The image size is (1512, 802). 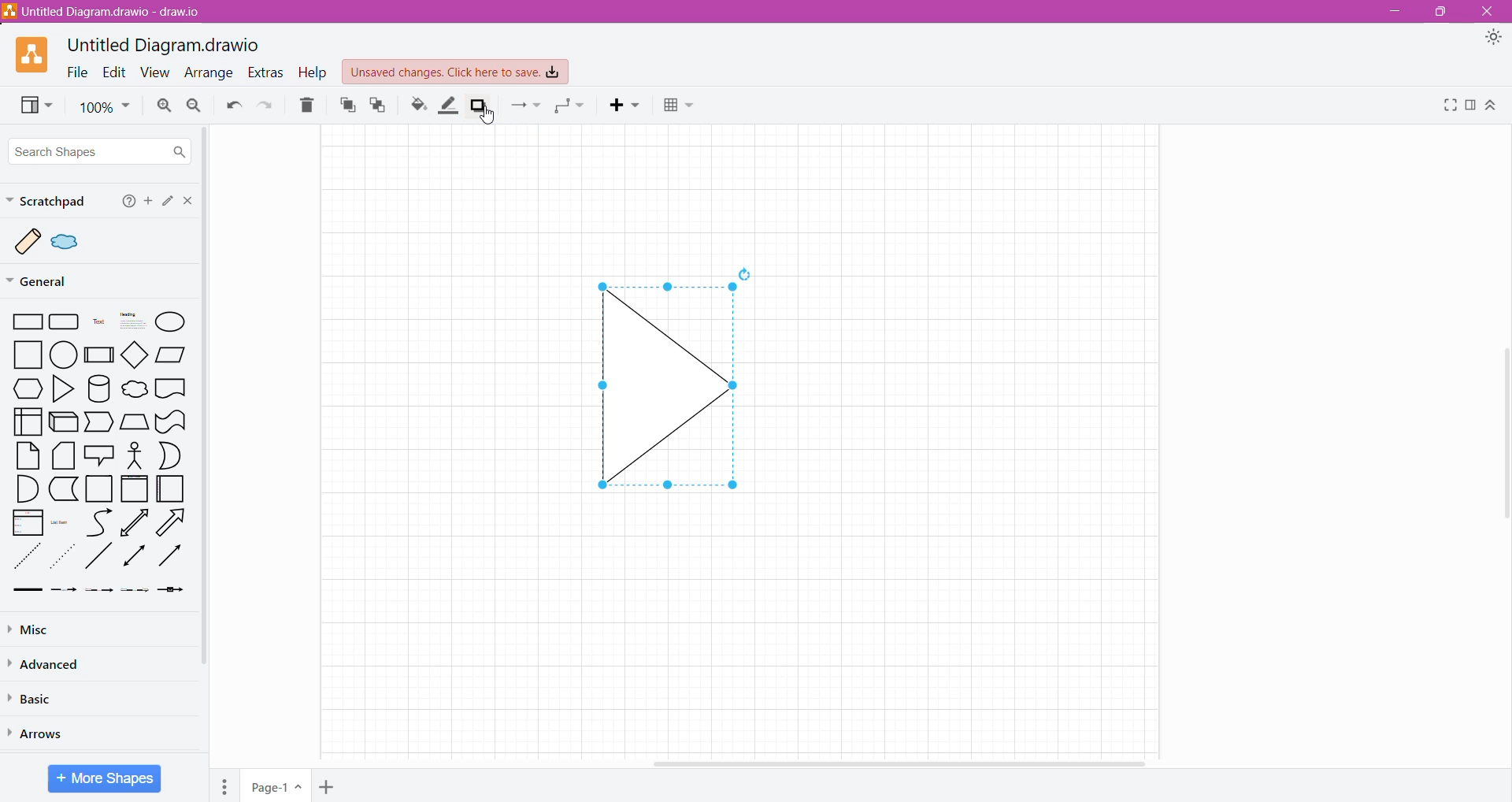 What do you see at coordinates (224, 785) in the screenshot?
I see `Pages` at bounding box center [224, 785].